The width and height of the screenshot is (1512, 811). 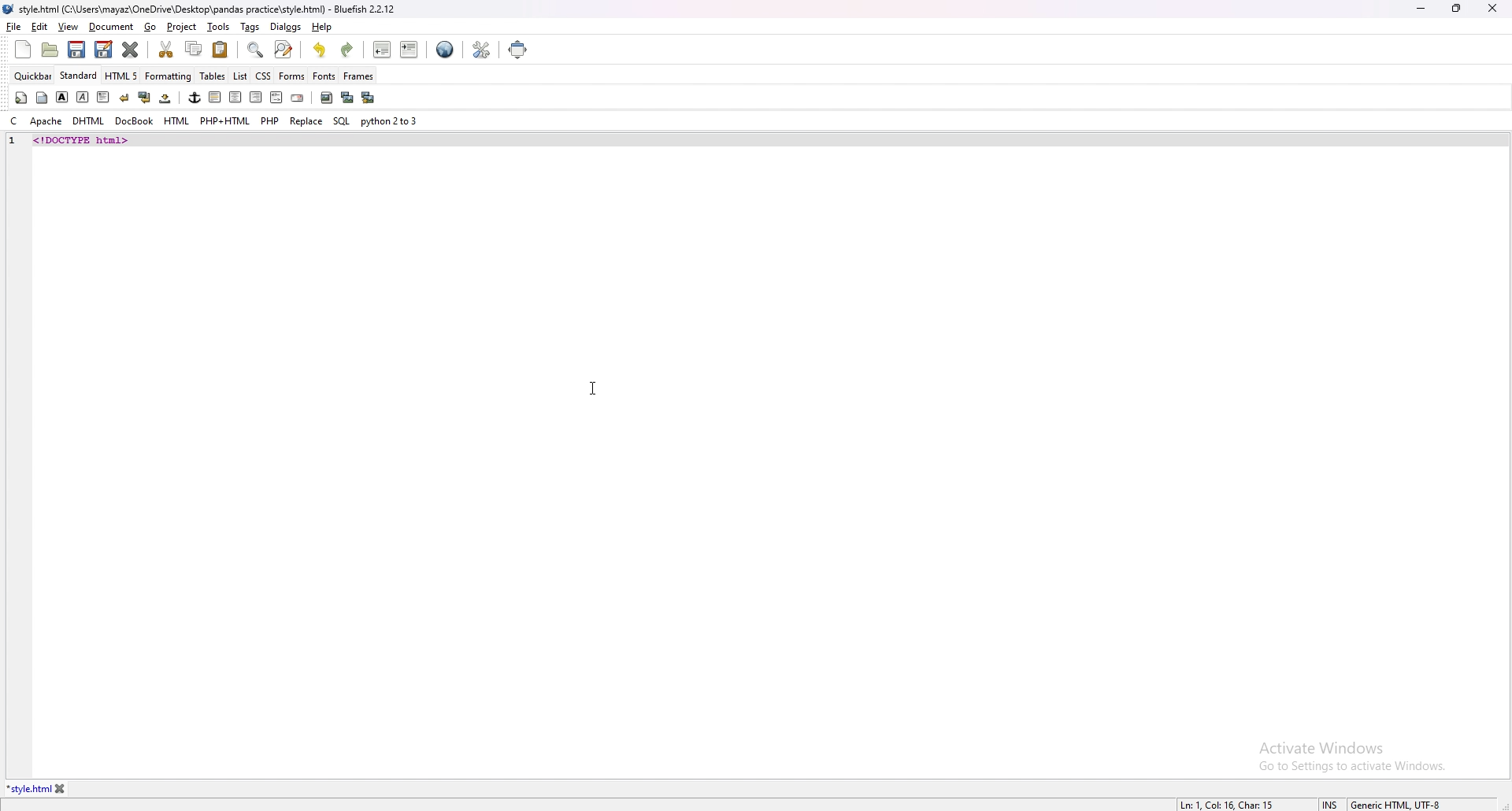 What do you see at coordinates (13, 141) in the screenshot?
I see `line number` at bounding box center [13, 141].